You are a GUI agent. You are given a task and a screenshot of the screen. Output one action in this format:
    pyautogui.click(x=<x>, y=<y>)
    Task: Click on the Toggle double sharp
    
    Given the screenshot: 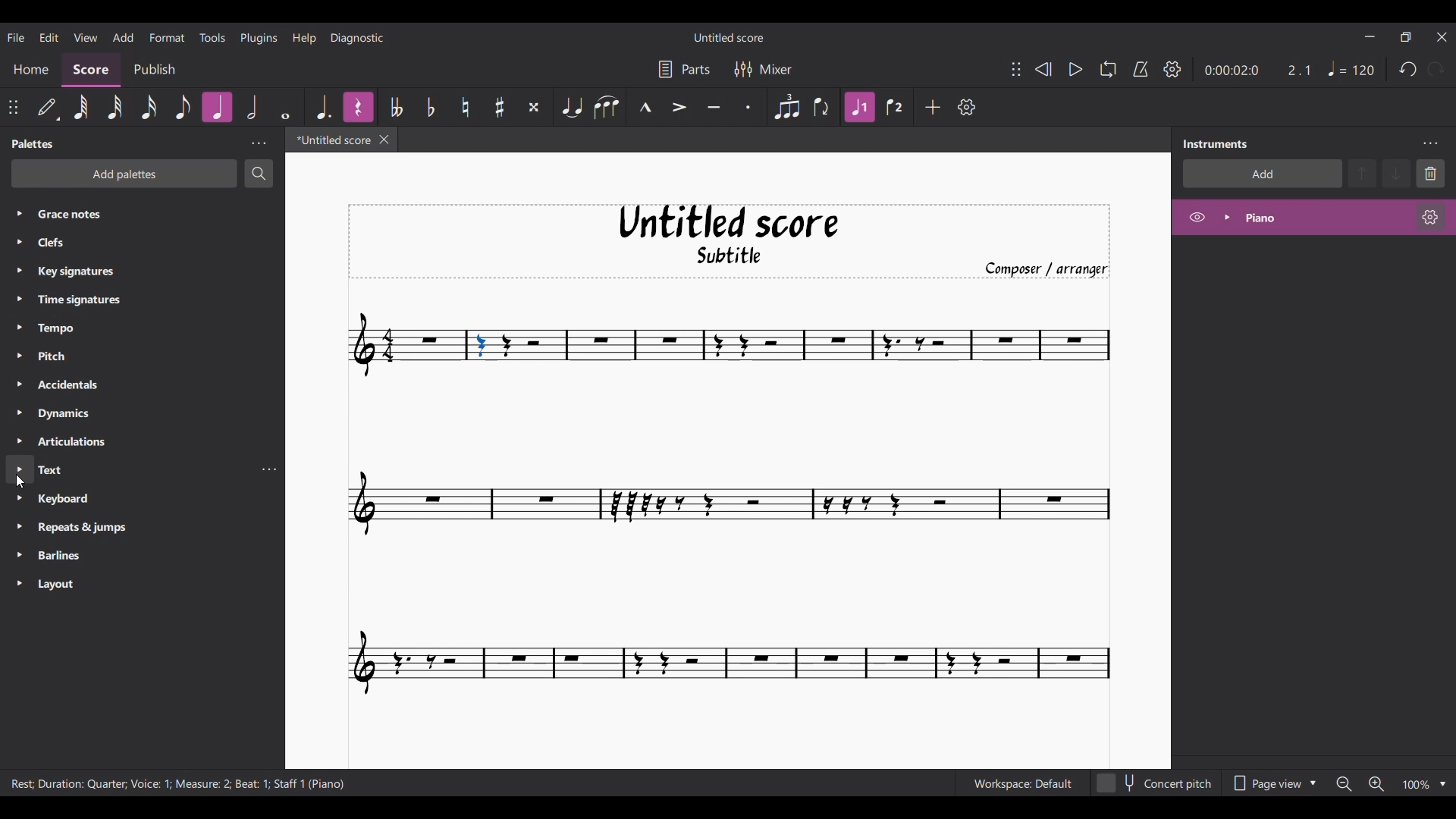 What is the action you would take?
    pyautogui.click(x=534, y=107)
    